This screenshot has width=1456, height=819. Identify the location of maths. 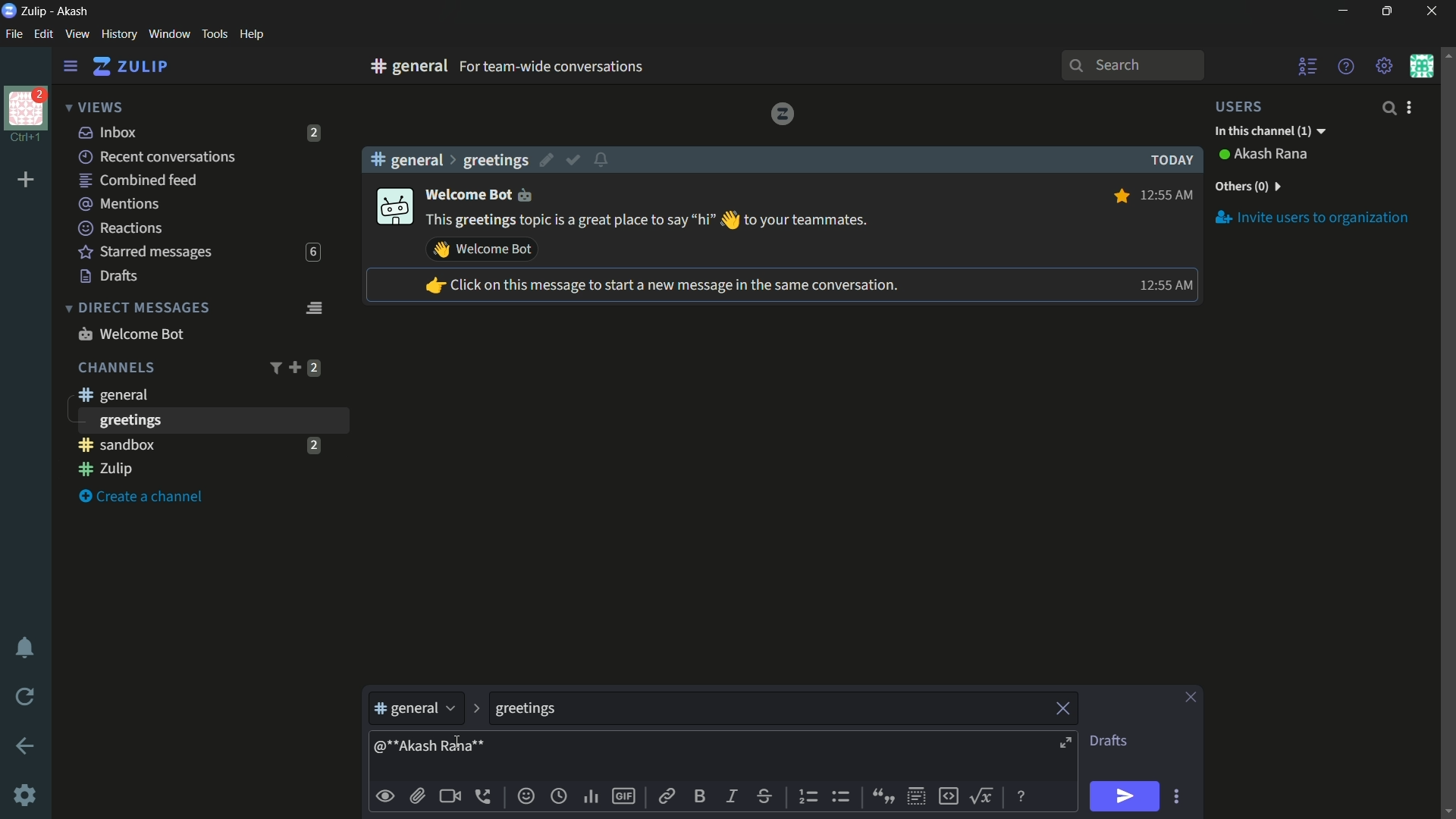
(984, 795).